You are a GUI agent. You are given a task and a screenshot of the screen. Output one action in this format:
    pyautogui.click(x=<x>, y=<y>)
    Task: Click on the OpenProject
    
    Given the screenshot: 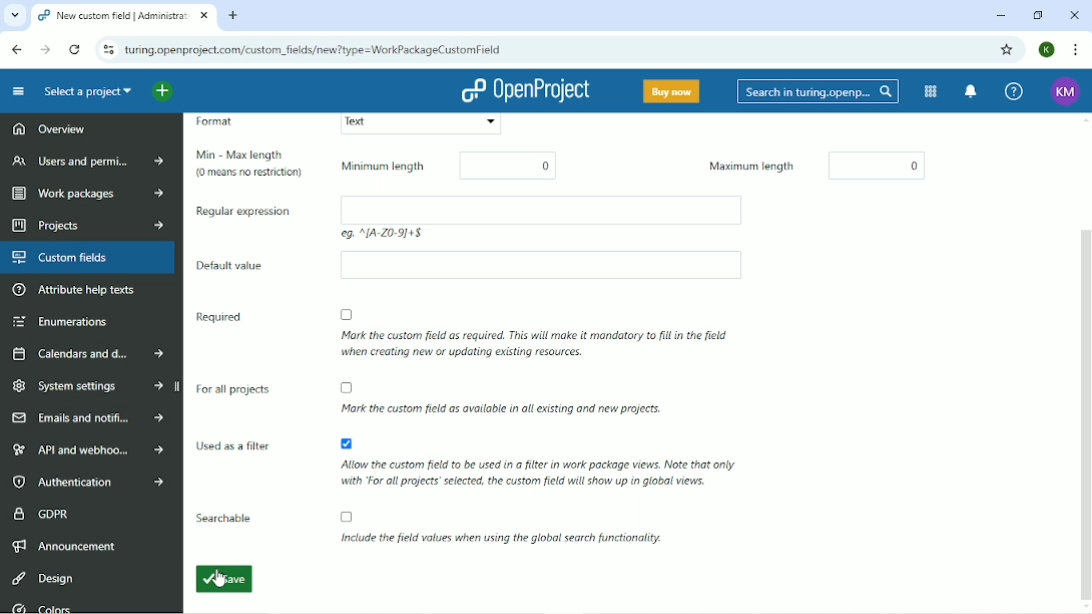 What is the action you would take?
    pyautogui.click(x=530, y=91)
    